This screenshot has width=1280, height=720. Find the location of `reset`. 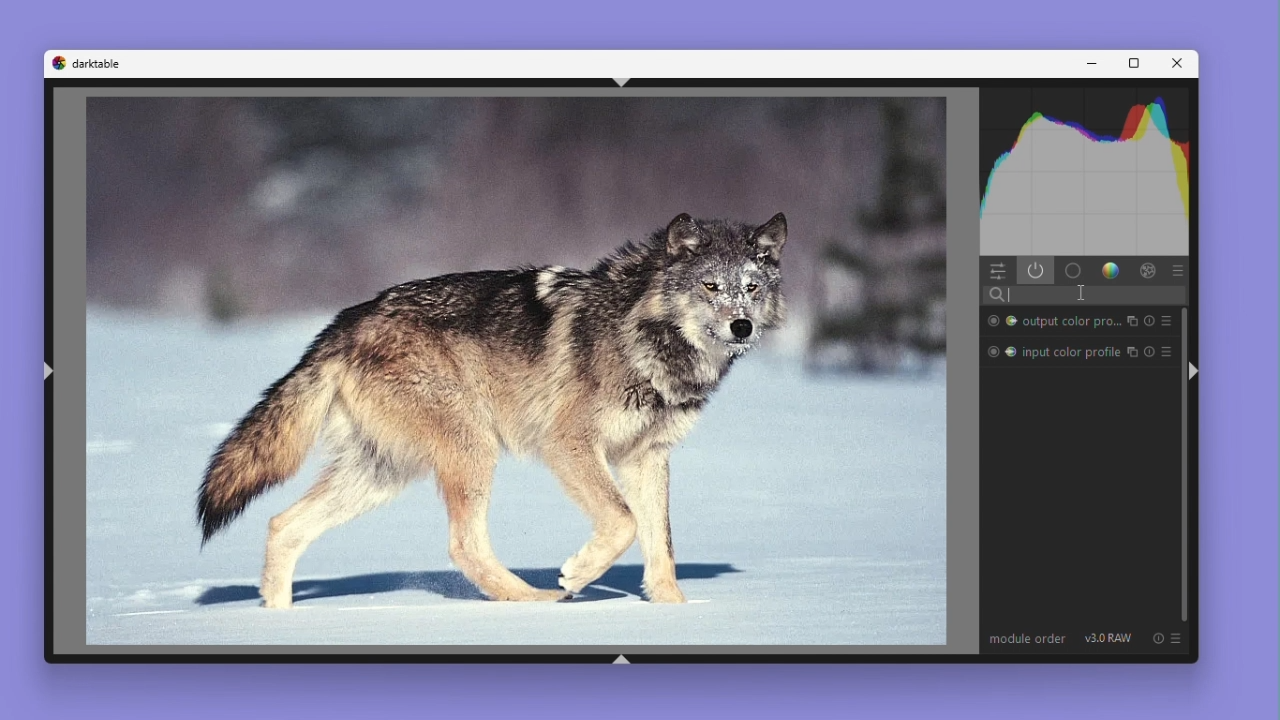

reset is located at coordinates (1160, 638).